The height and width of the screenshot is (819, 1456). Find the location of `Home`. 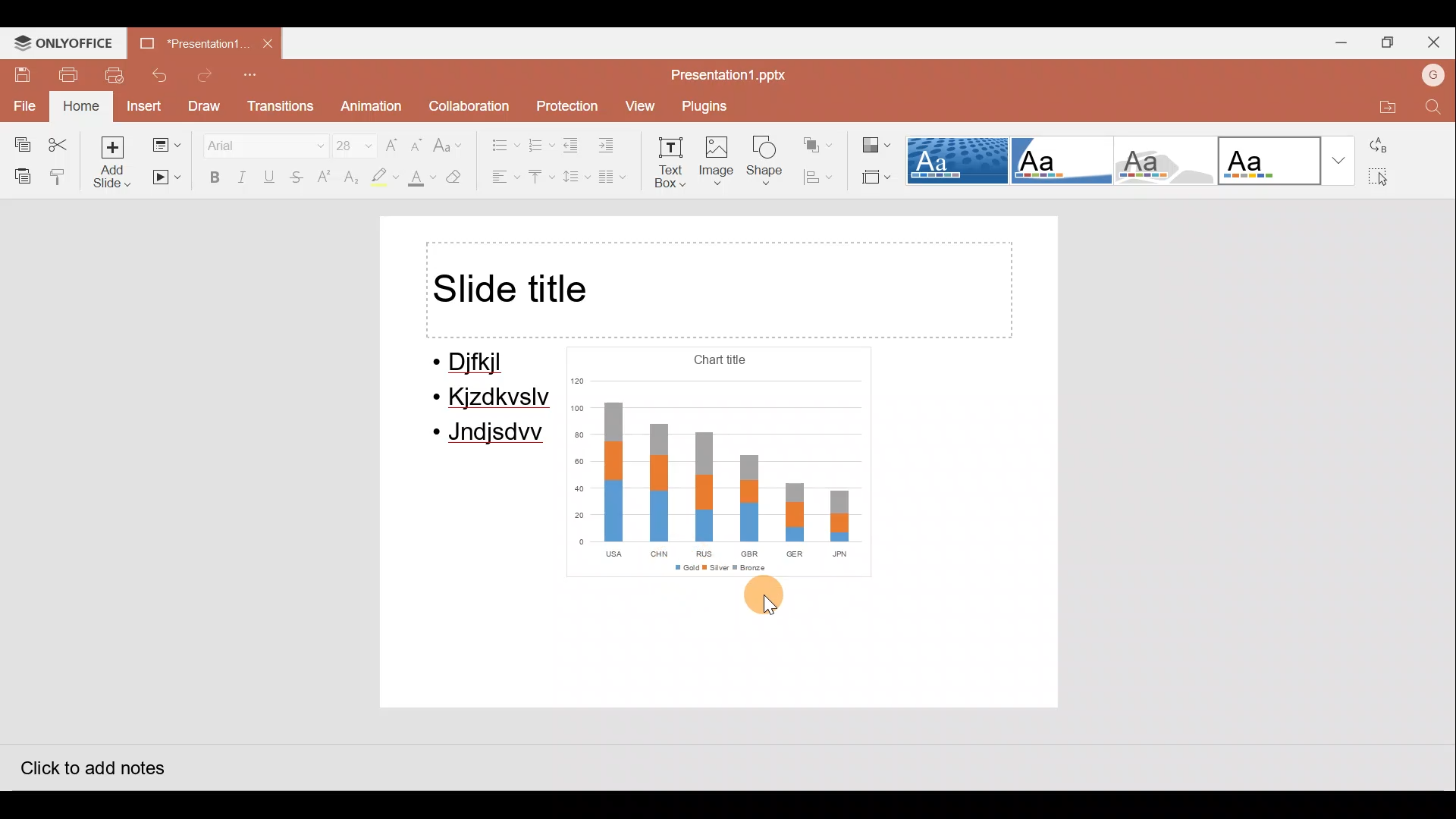

Home is located at coordinates (79, 107).